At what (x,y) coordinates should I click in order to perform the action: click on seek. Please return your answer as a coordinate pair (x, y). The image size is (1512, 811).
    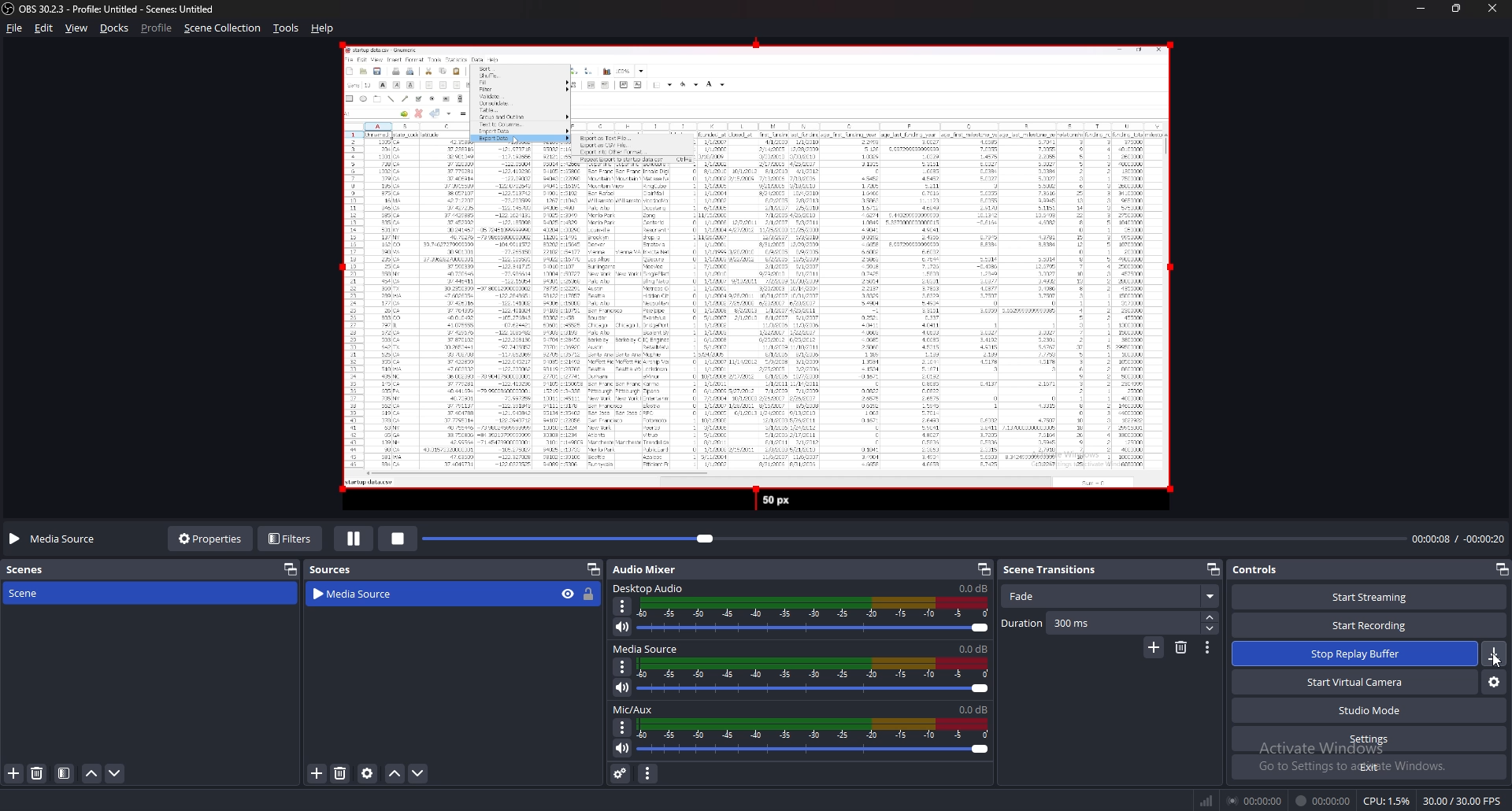
    Looking at the image, I should click on (914, 539).